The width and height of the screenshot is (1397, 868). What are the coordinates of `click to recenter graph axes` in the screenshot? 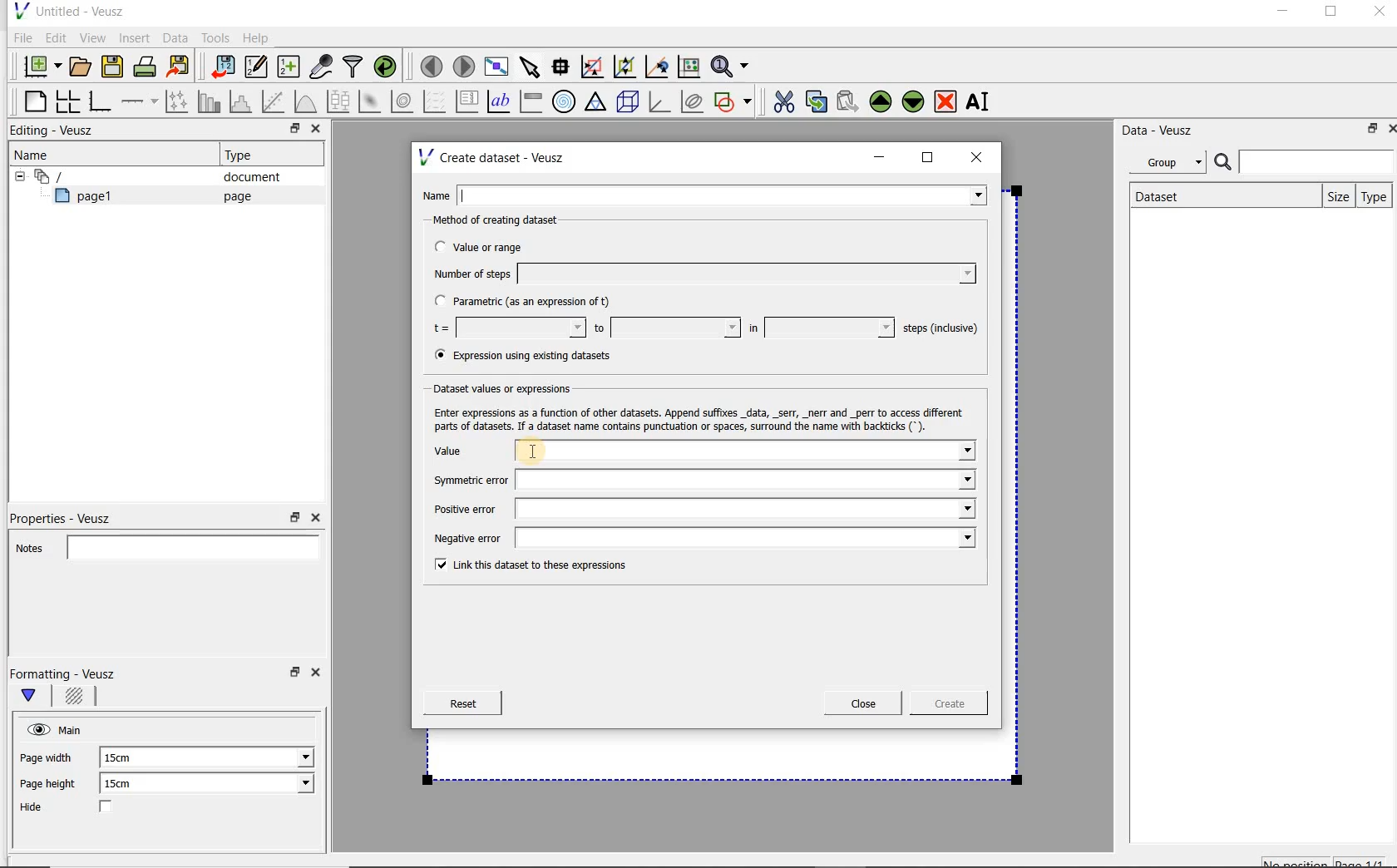 It's located at (658, 67).